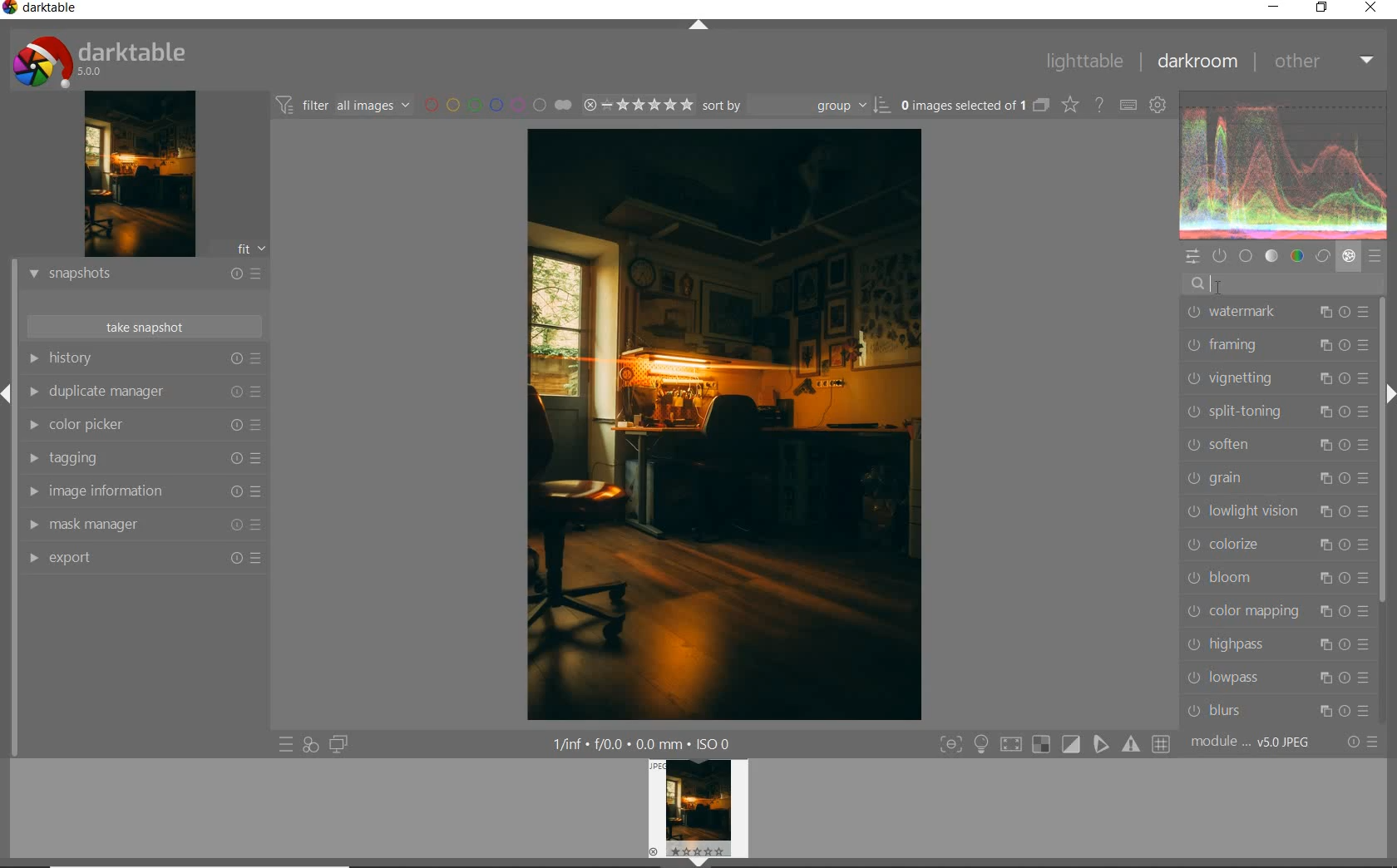  What do you see at coordinates (1098, 105) in the screenshot?
I see `enable online help` at bounding box center [1098, 105].